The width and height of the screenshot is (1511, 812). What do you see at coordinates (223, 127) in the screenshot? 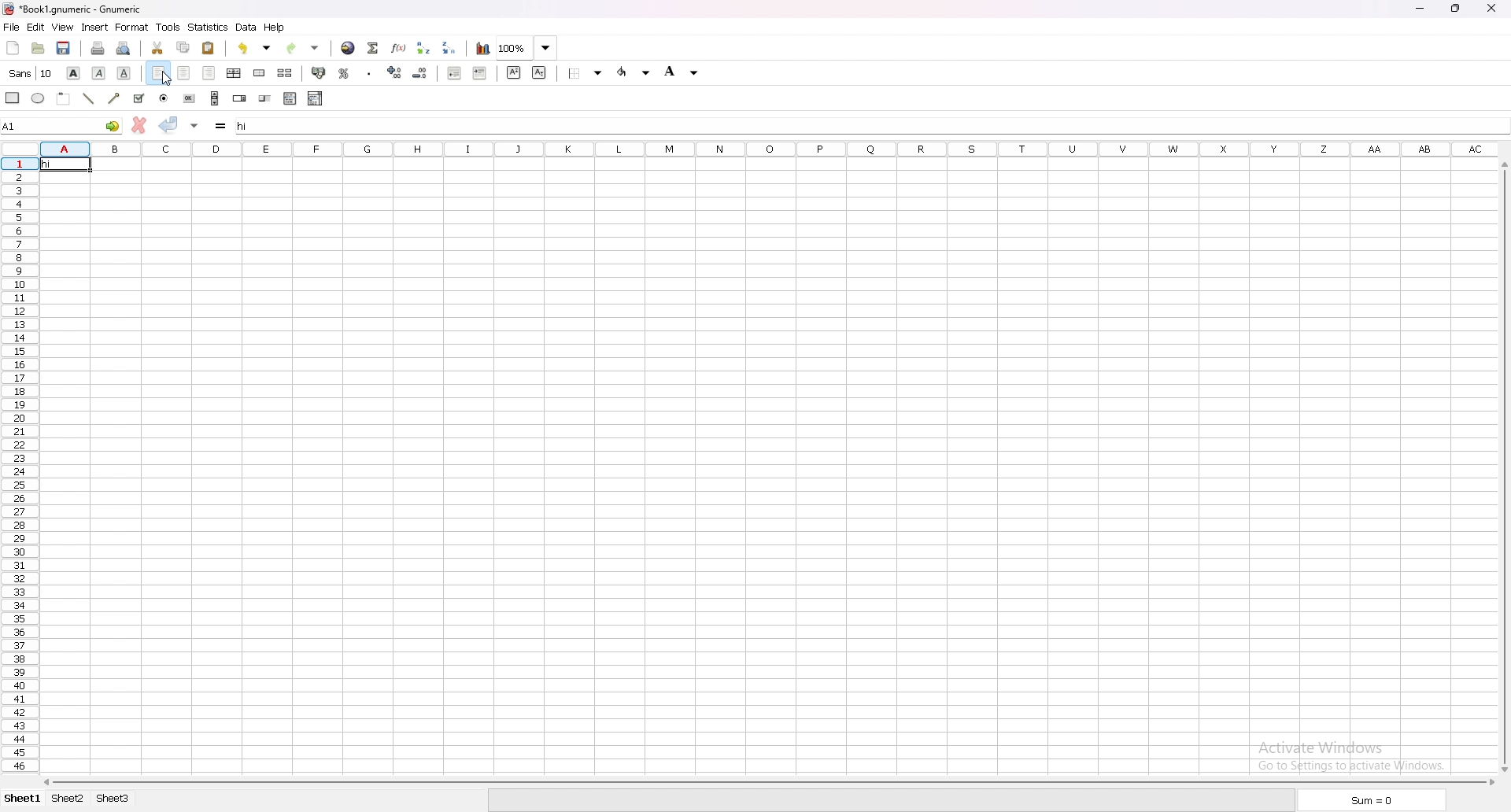
I see `formula` at bounding box center [223, 127].